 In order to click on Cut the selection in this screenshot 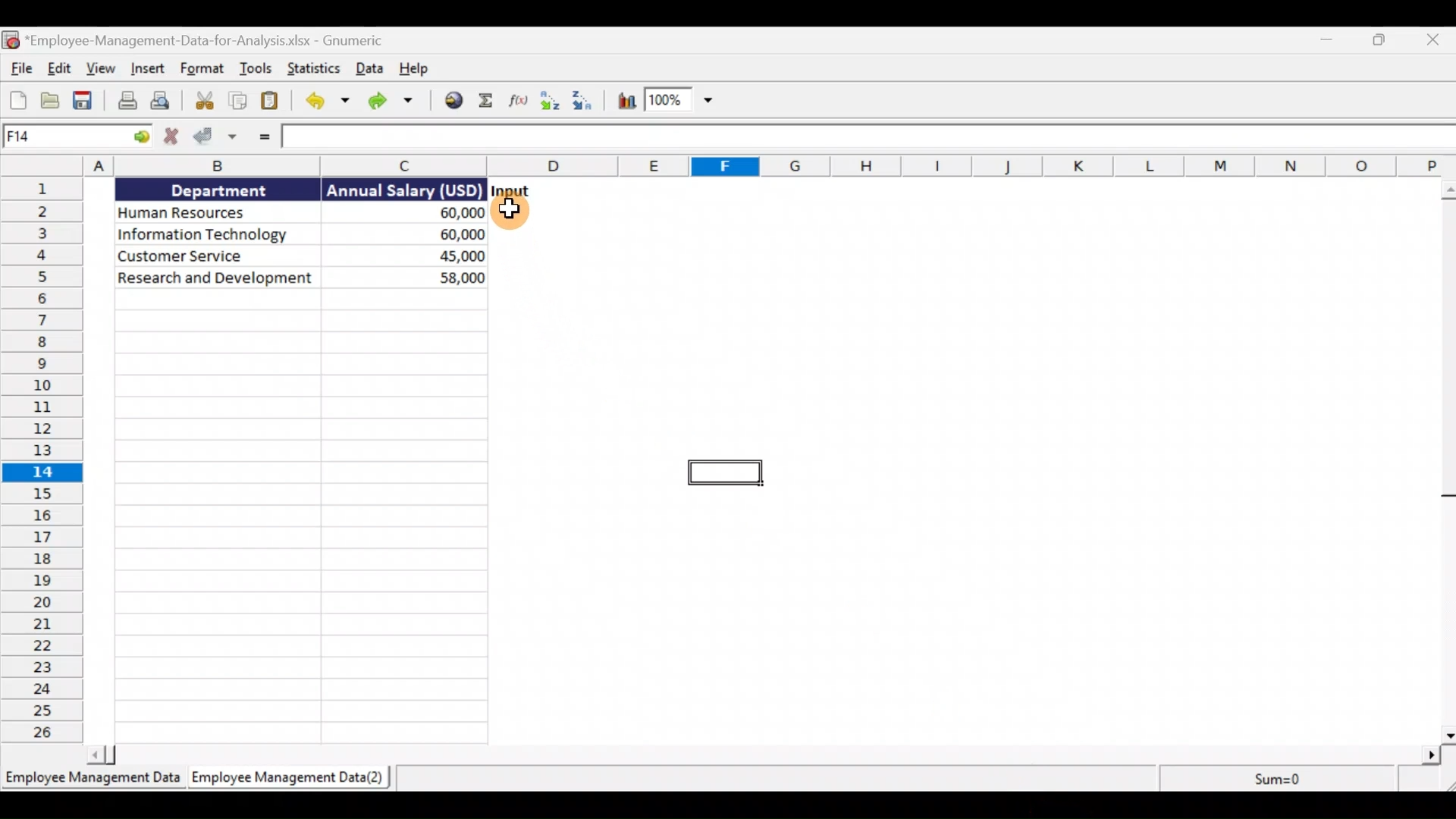, I will do `click(204, 102)`.